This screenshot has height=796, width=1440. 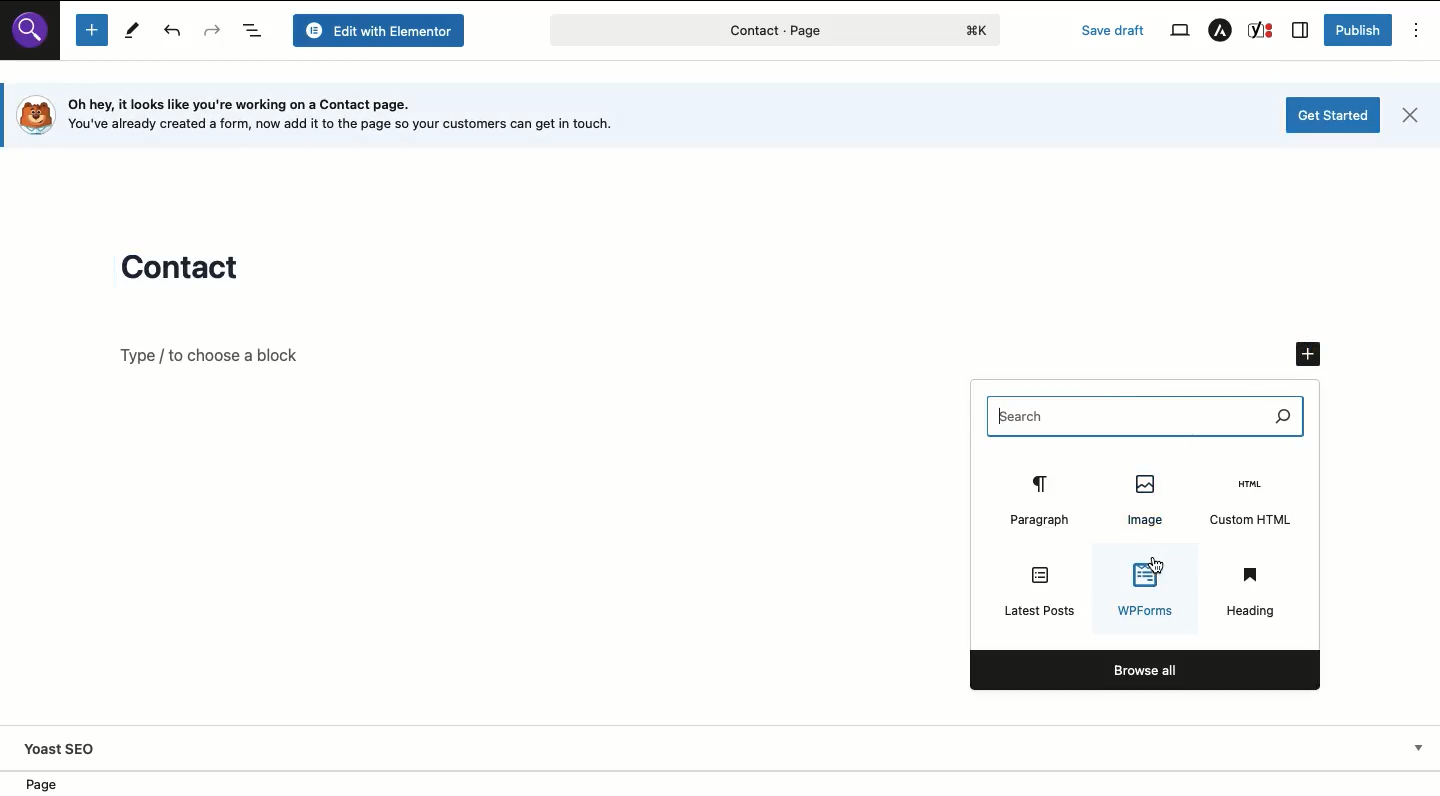 I want to click on Image, so click(x=1145, y=505).